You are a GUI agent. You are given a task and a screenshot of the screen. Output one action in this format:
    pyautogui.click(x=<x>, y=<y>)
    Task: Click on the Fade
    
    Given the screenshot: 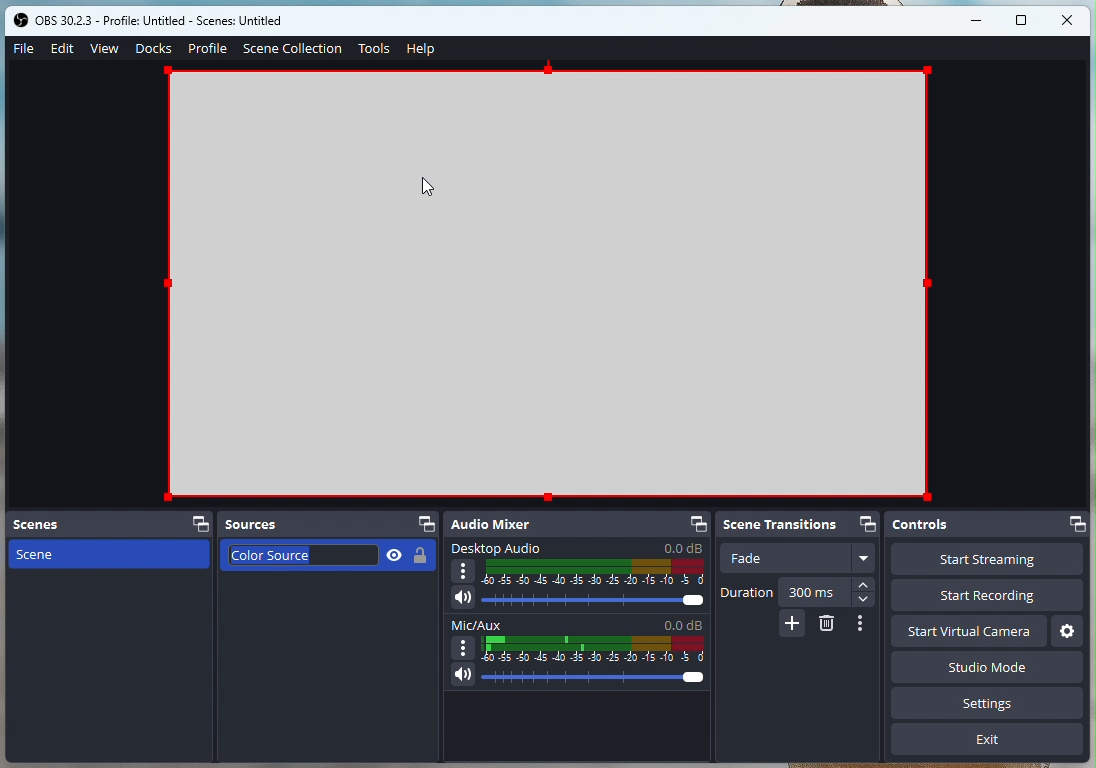 What is the action you would take?
    pyautogui.click(x=798, y=560)
    